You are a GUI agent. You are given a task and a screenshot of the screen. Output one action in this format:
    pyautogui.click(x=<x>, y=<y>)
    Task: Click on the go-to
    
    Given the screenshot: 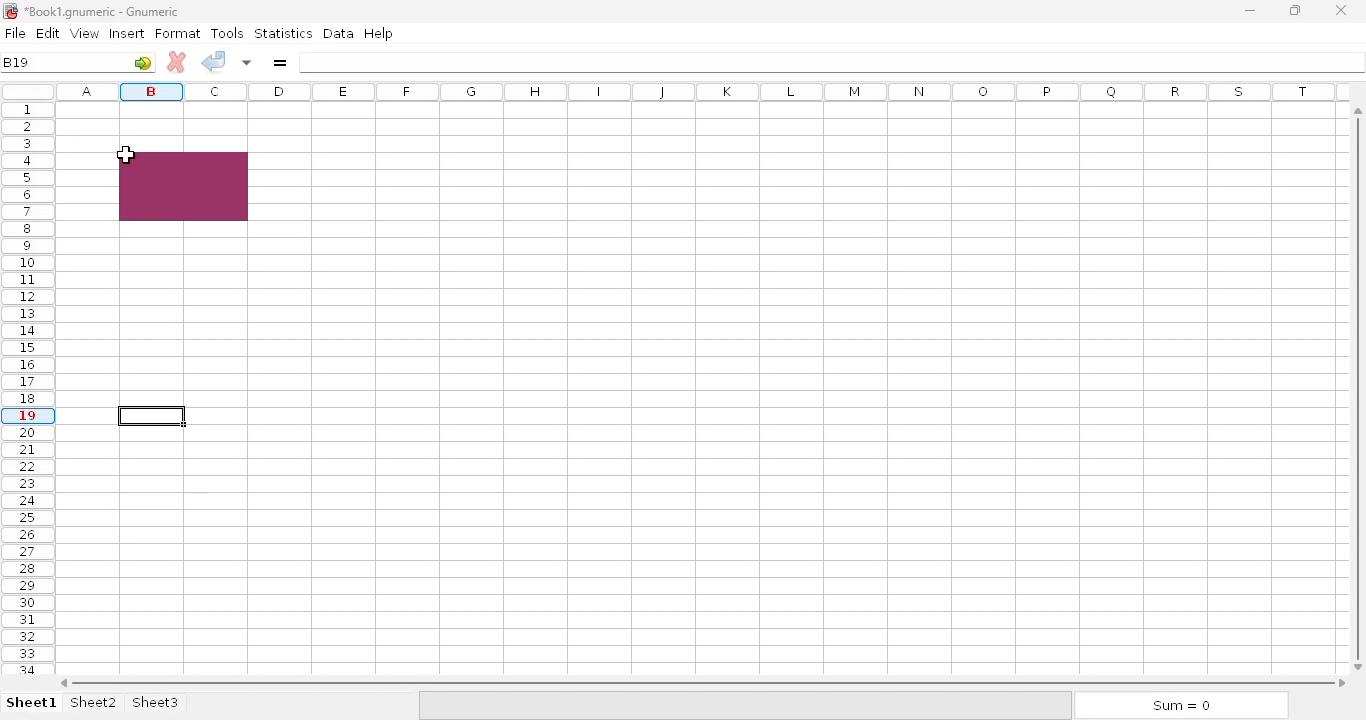 What is the action you would take?
    pyautogui.click(x=143, y=62)
    